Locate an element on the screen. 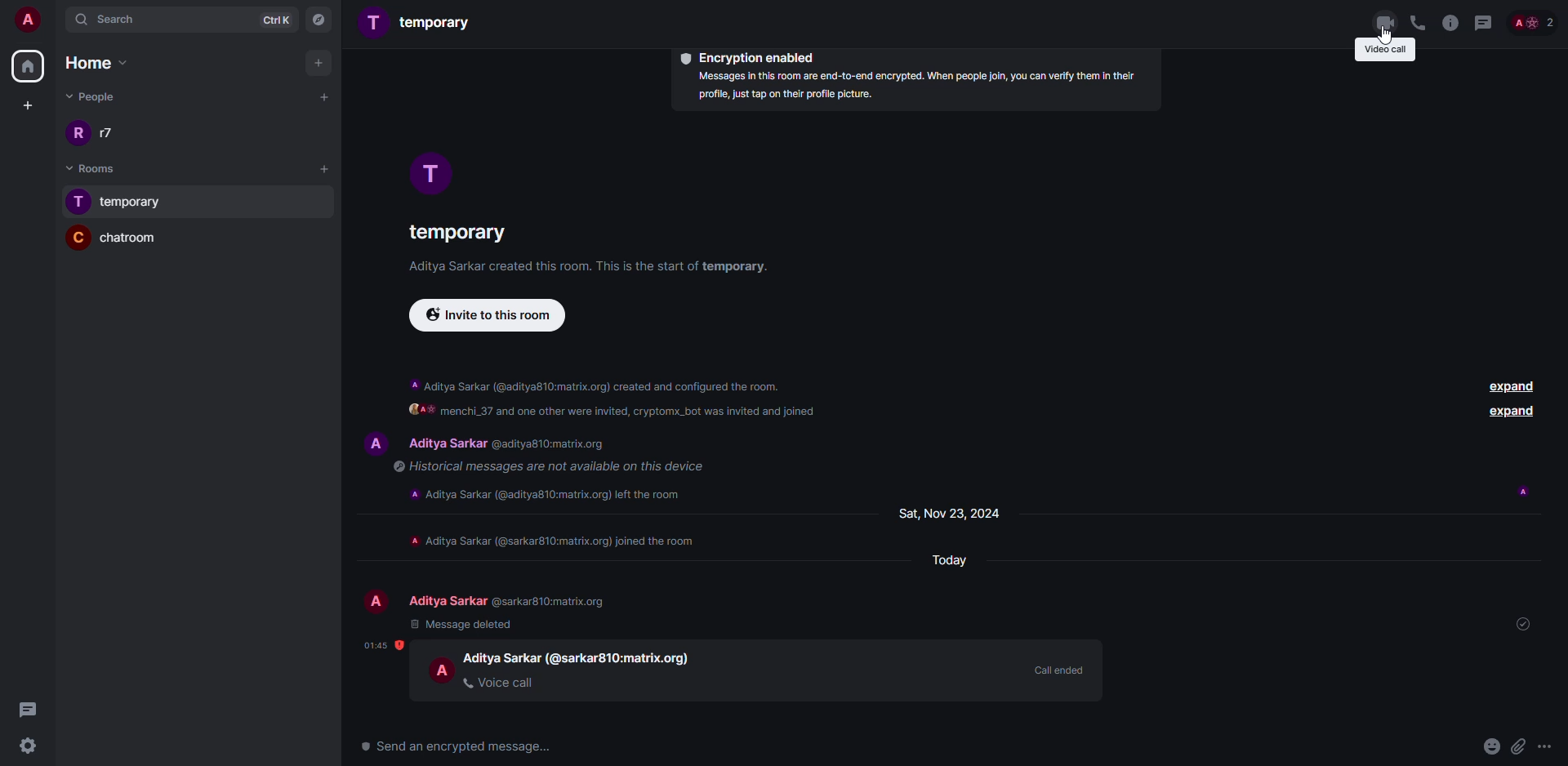  id is located at coordinates (556, 601).